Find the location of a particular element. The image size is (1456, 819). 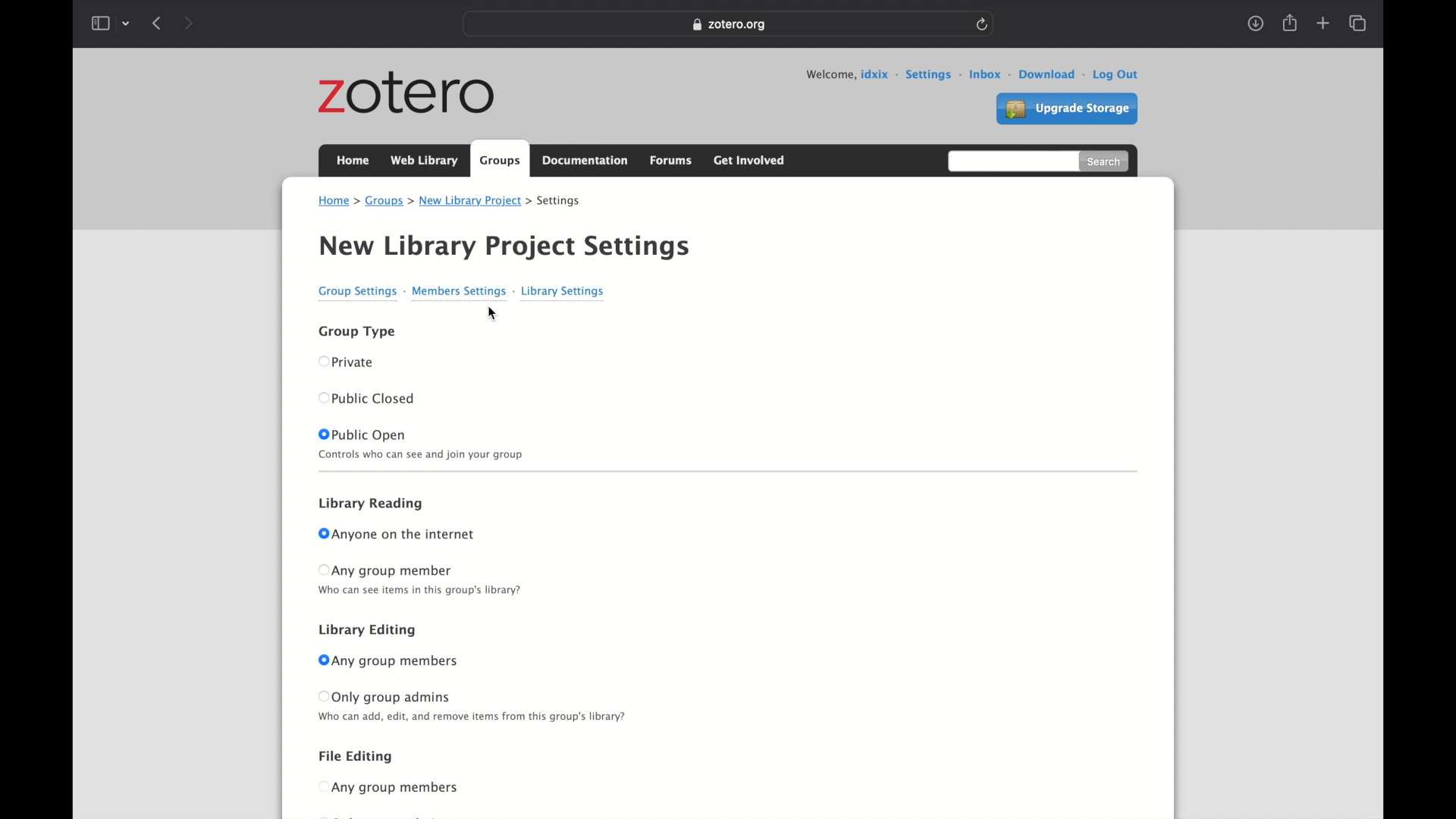

search bar is located at coordinates (1011, 161).